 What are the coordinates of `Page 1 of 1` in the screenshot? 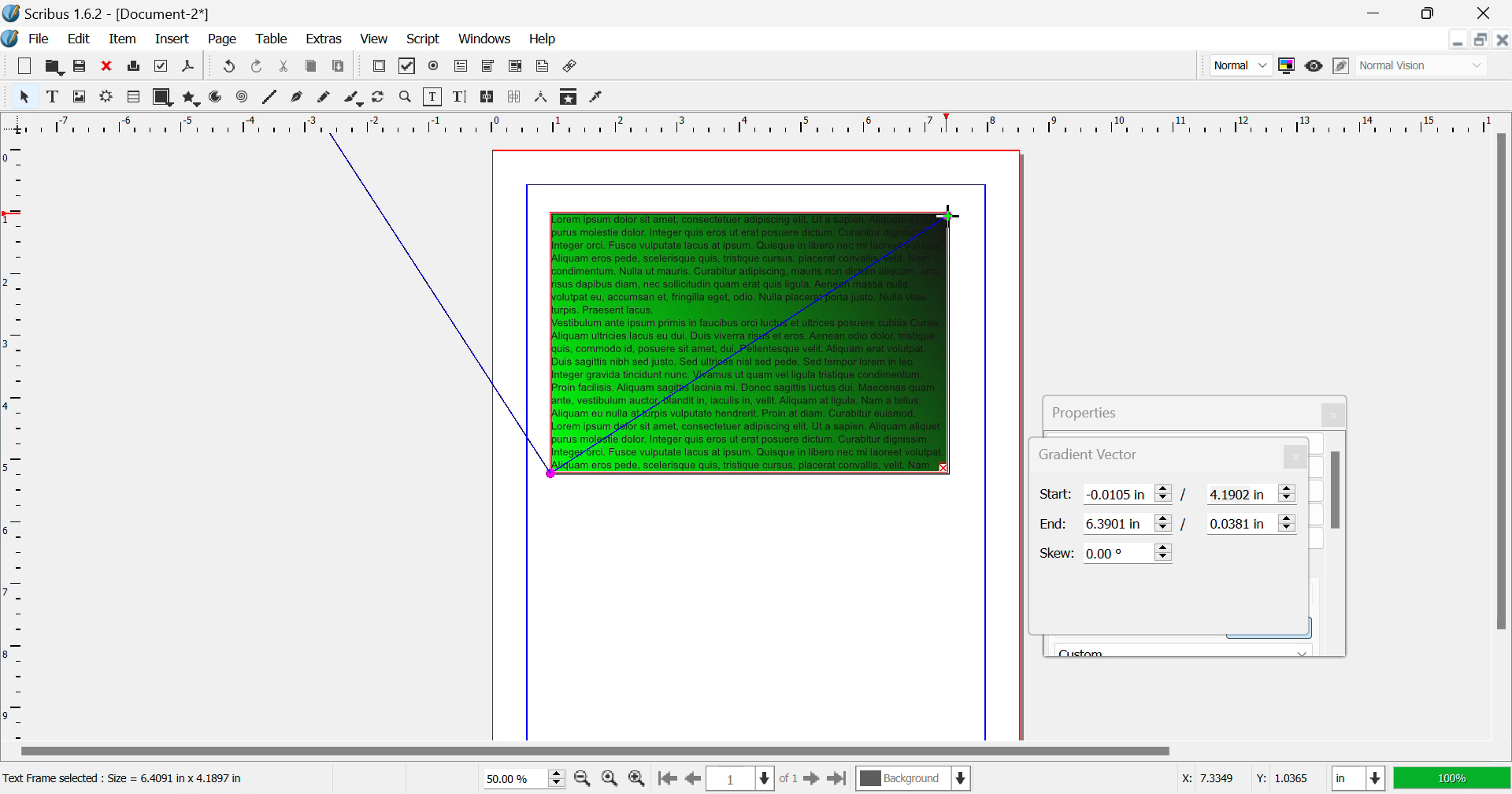 It's located at (750, 778).